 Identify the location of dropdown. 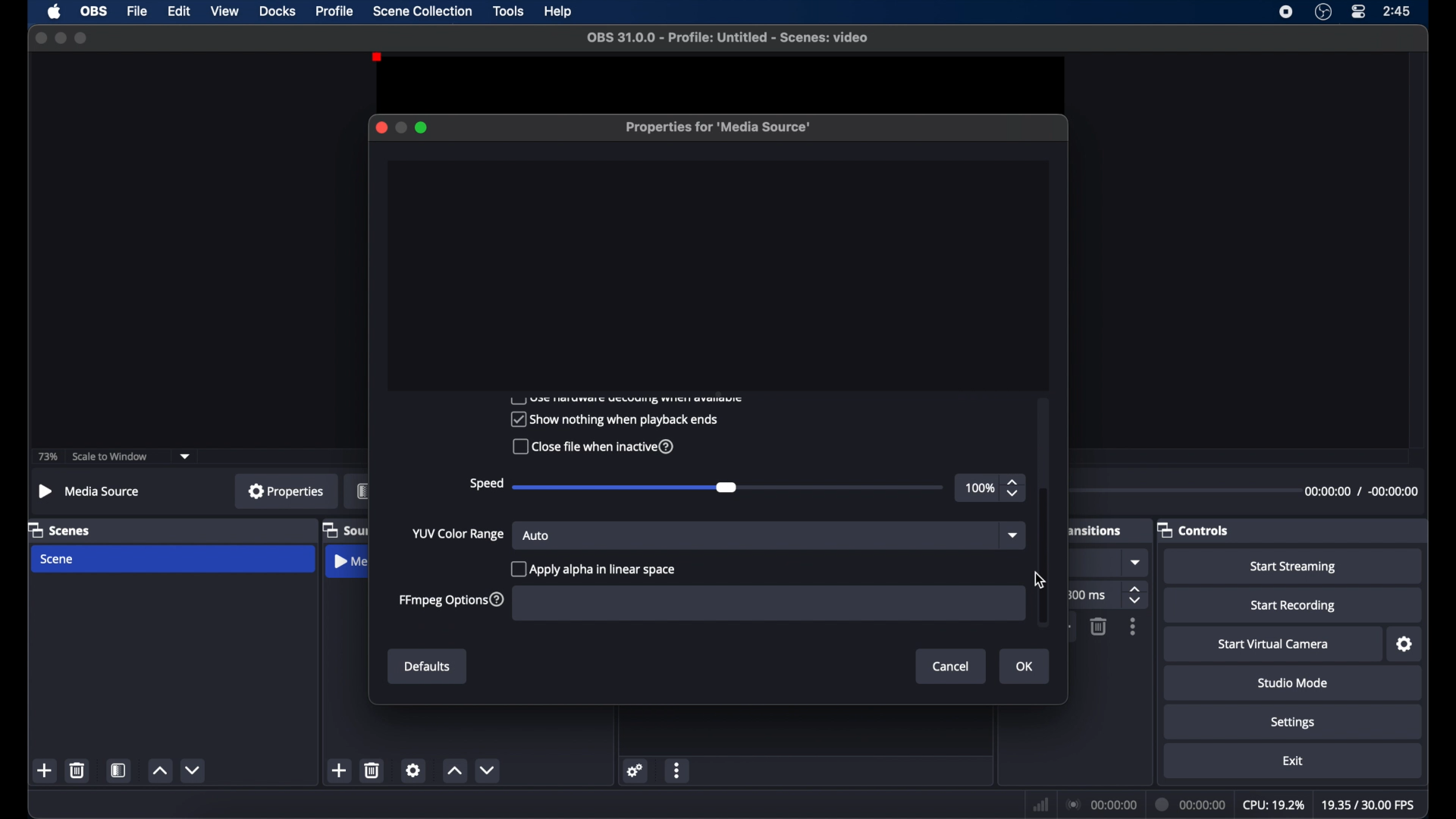
(1011, 536).